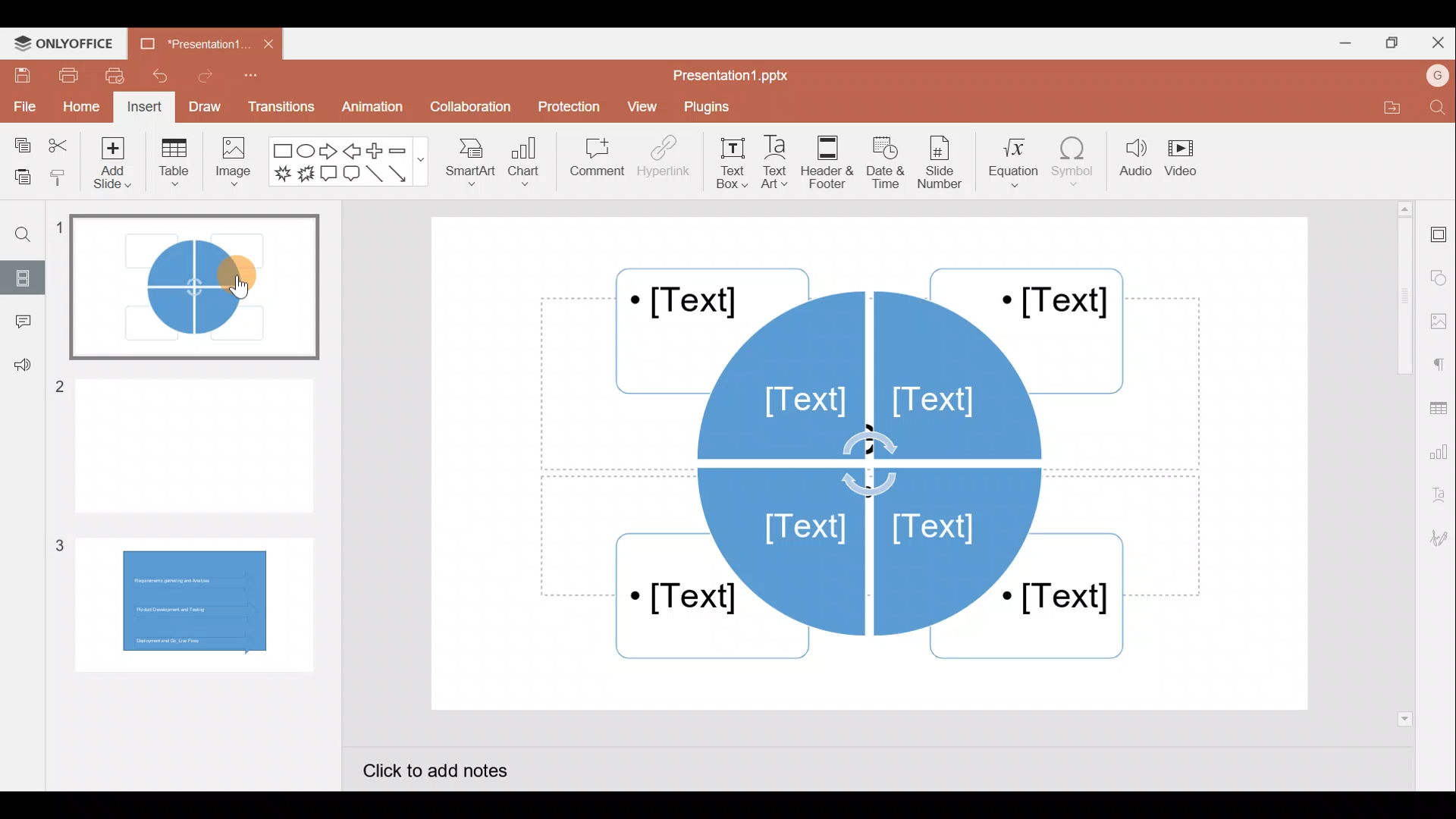  Describe the element at coordinates (375, 149) in the screenshot. I see `Plus` at that location.